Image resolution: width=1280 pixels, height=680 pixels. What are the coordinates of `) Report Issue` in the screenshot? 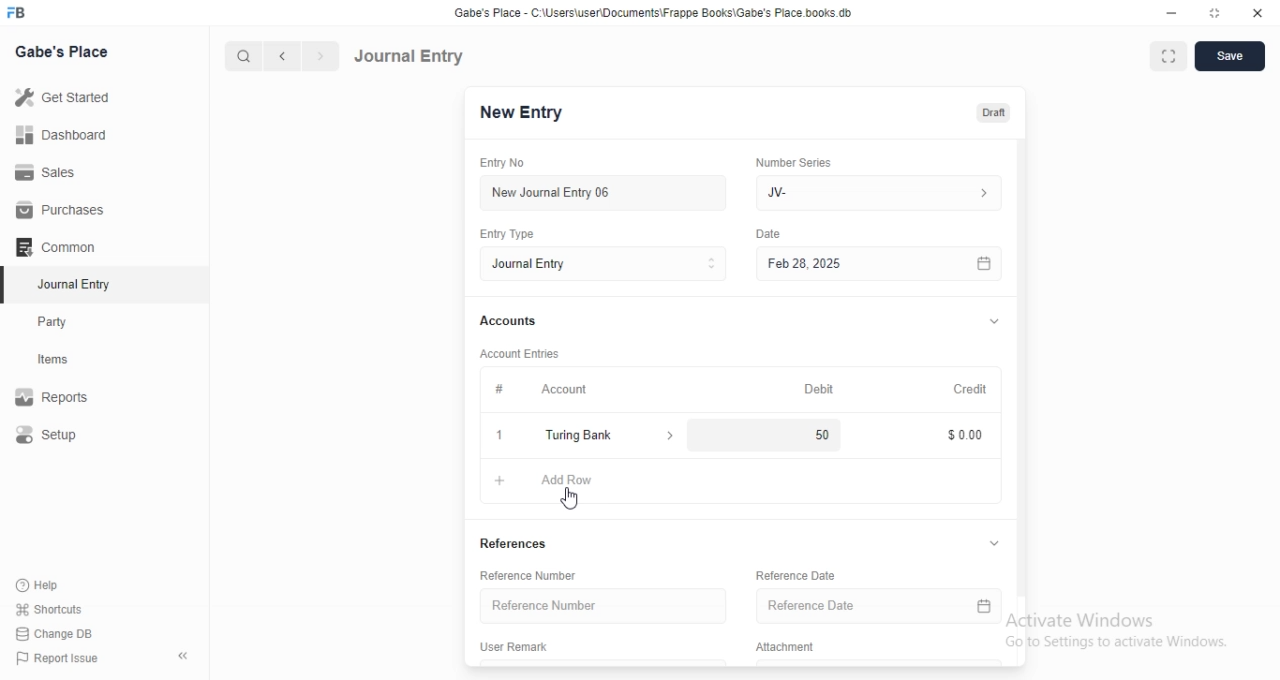 It's located at (59, 659).